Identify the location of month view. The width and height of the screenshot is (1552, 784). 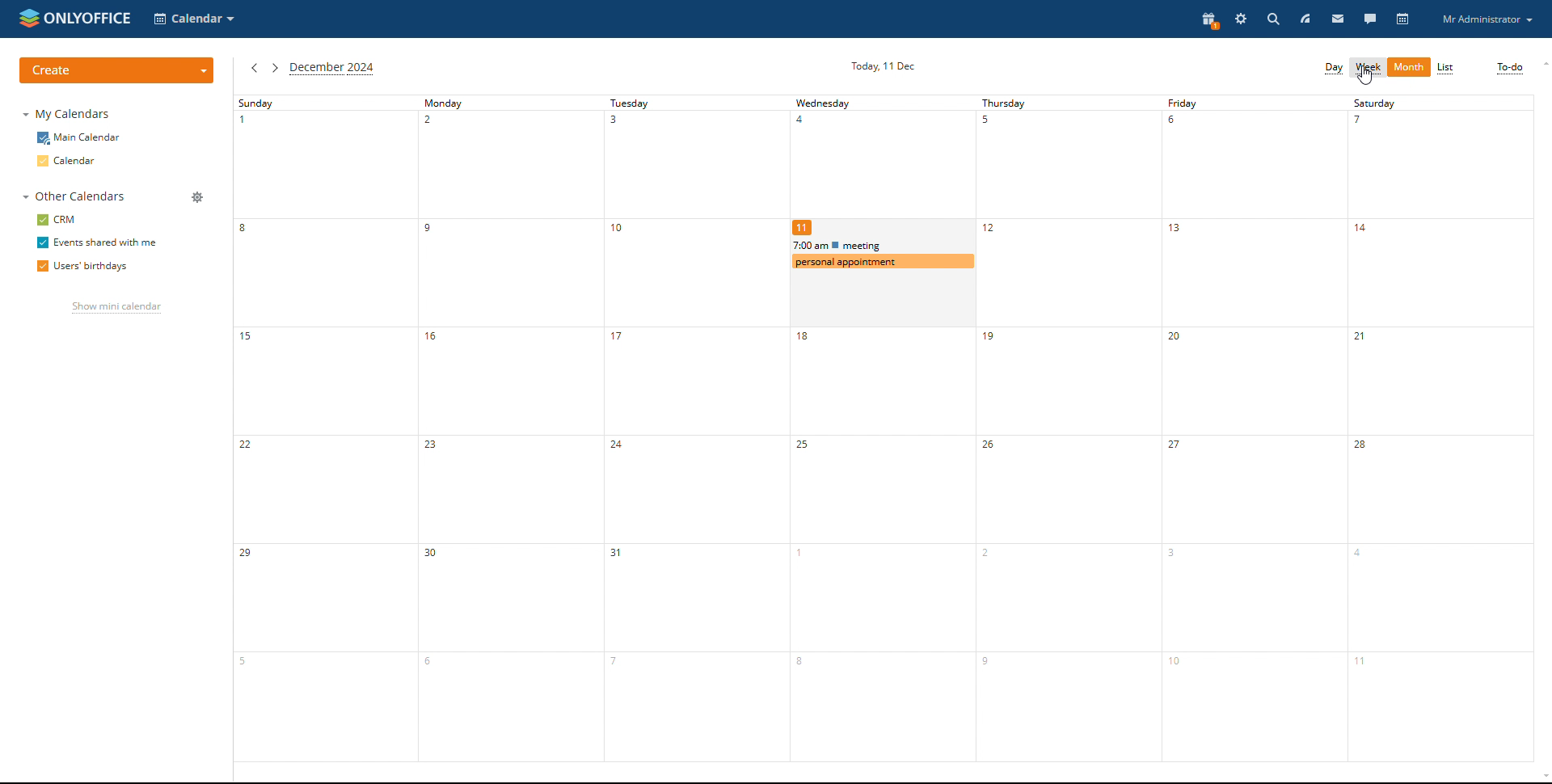
(1408, 69).